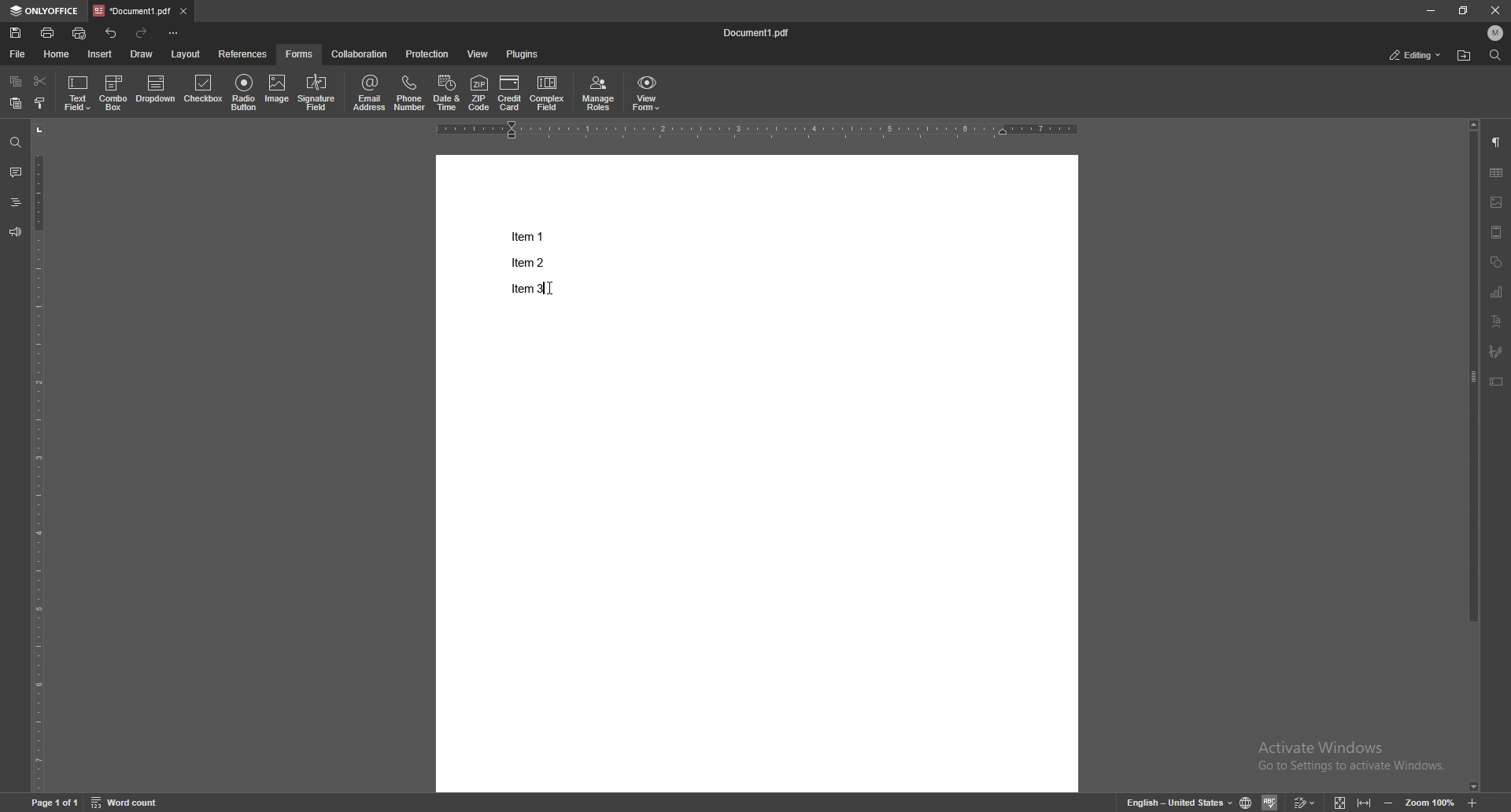 Image resolution: width=1511 pixels, height=812 pixels. I want to click on cut, so click(41, 82).